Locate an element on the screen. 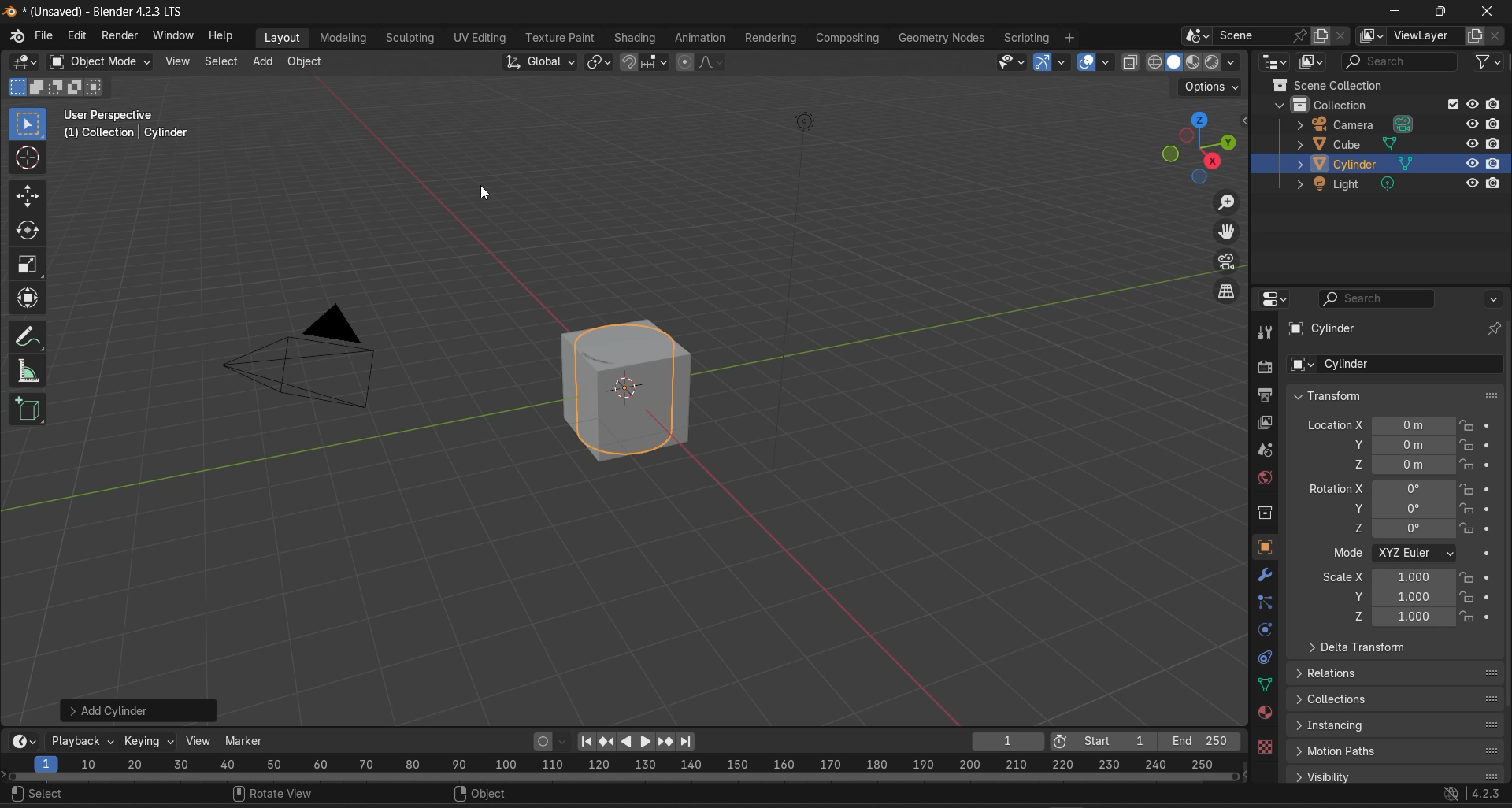 Image resolution: width=1512 pixels, height=808 pixels. set the object interaction mode is located at coordinates (100, 61).